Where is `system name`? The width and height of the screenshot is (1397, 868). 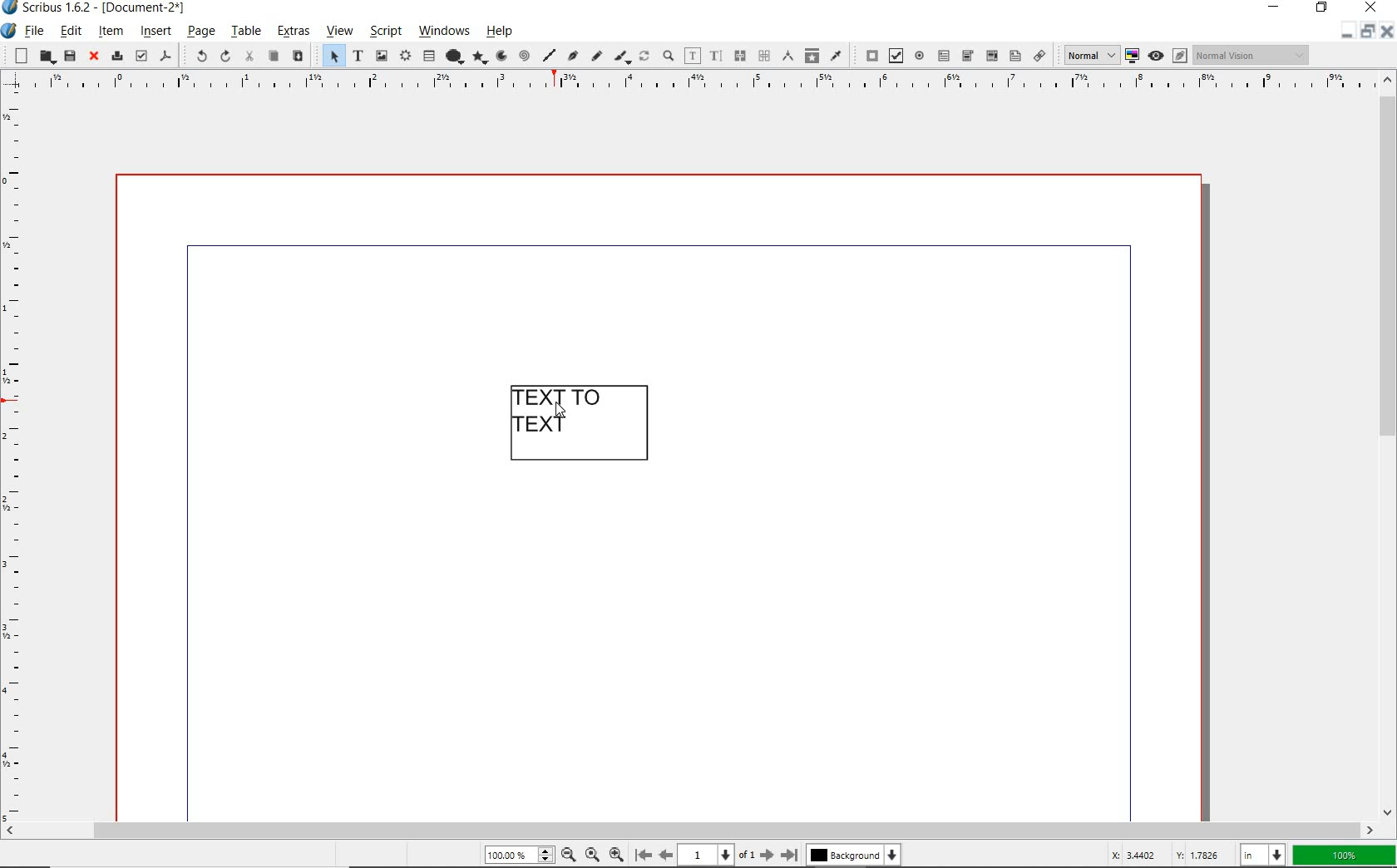
system name is located at coordinates (107, 8).